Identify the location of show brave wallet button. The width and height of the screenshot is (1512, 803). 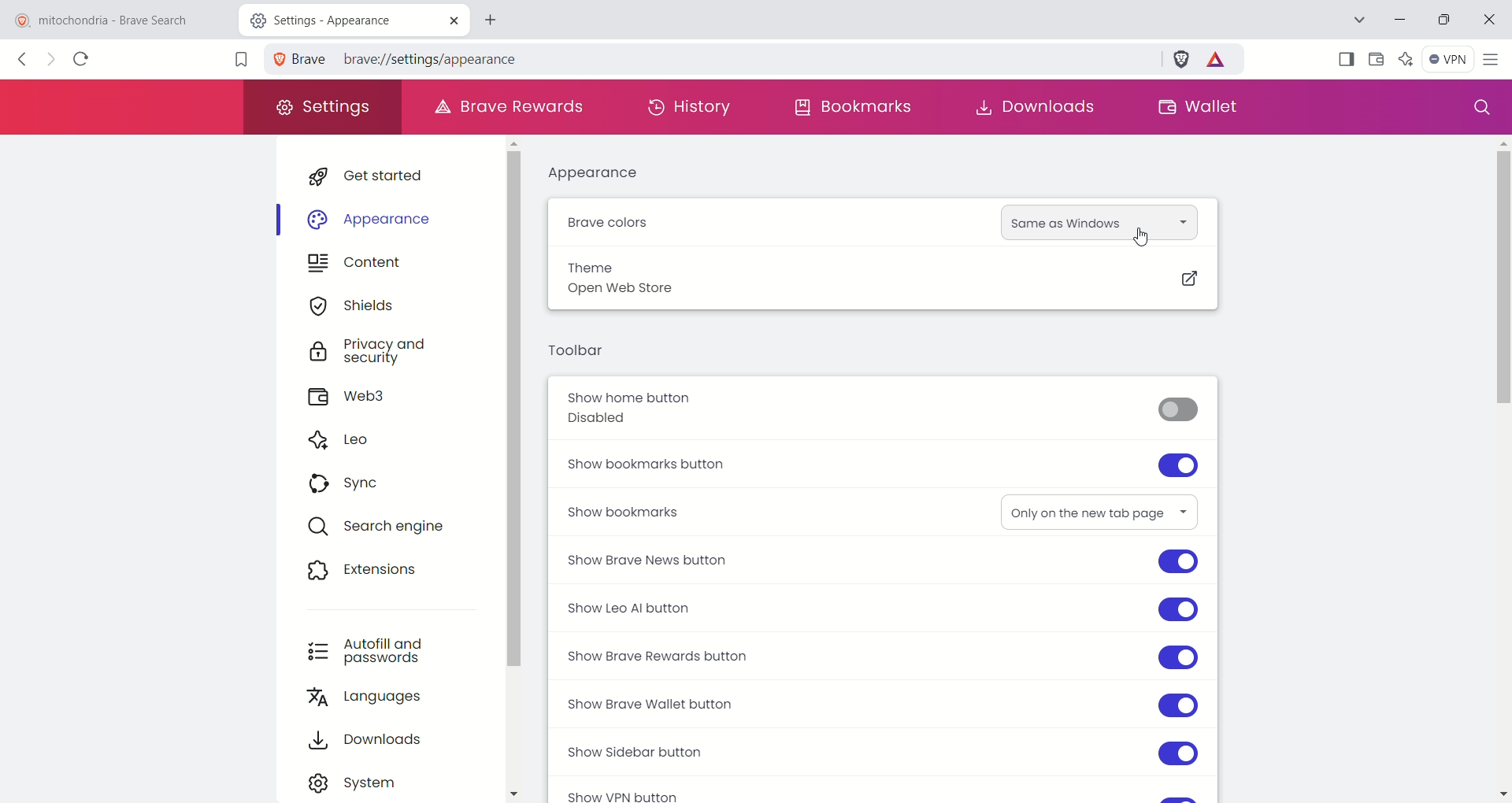
(887, 704).